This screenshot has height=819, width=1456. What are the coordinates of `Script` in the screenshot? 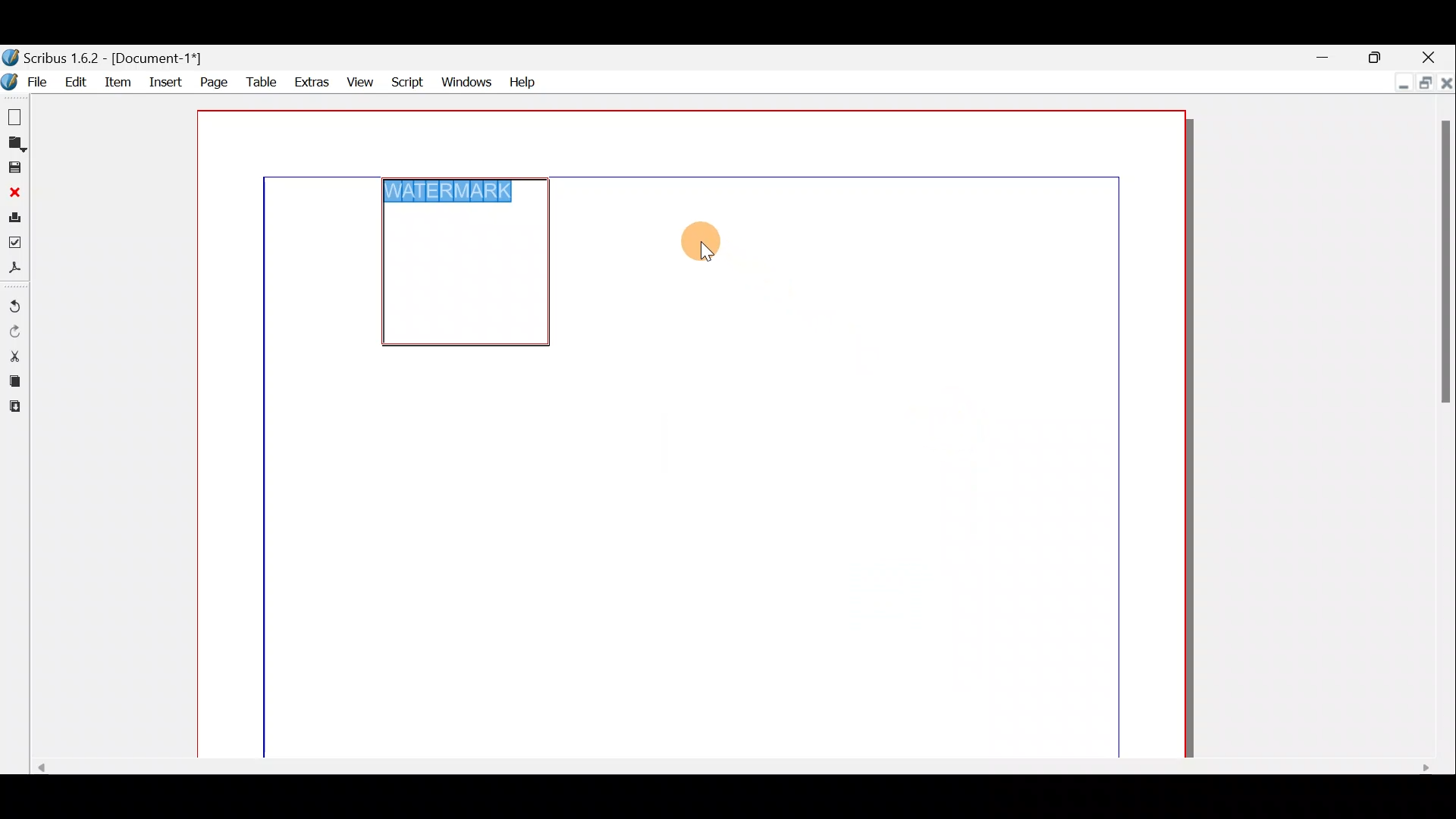 It's located at (409, 80).